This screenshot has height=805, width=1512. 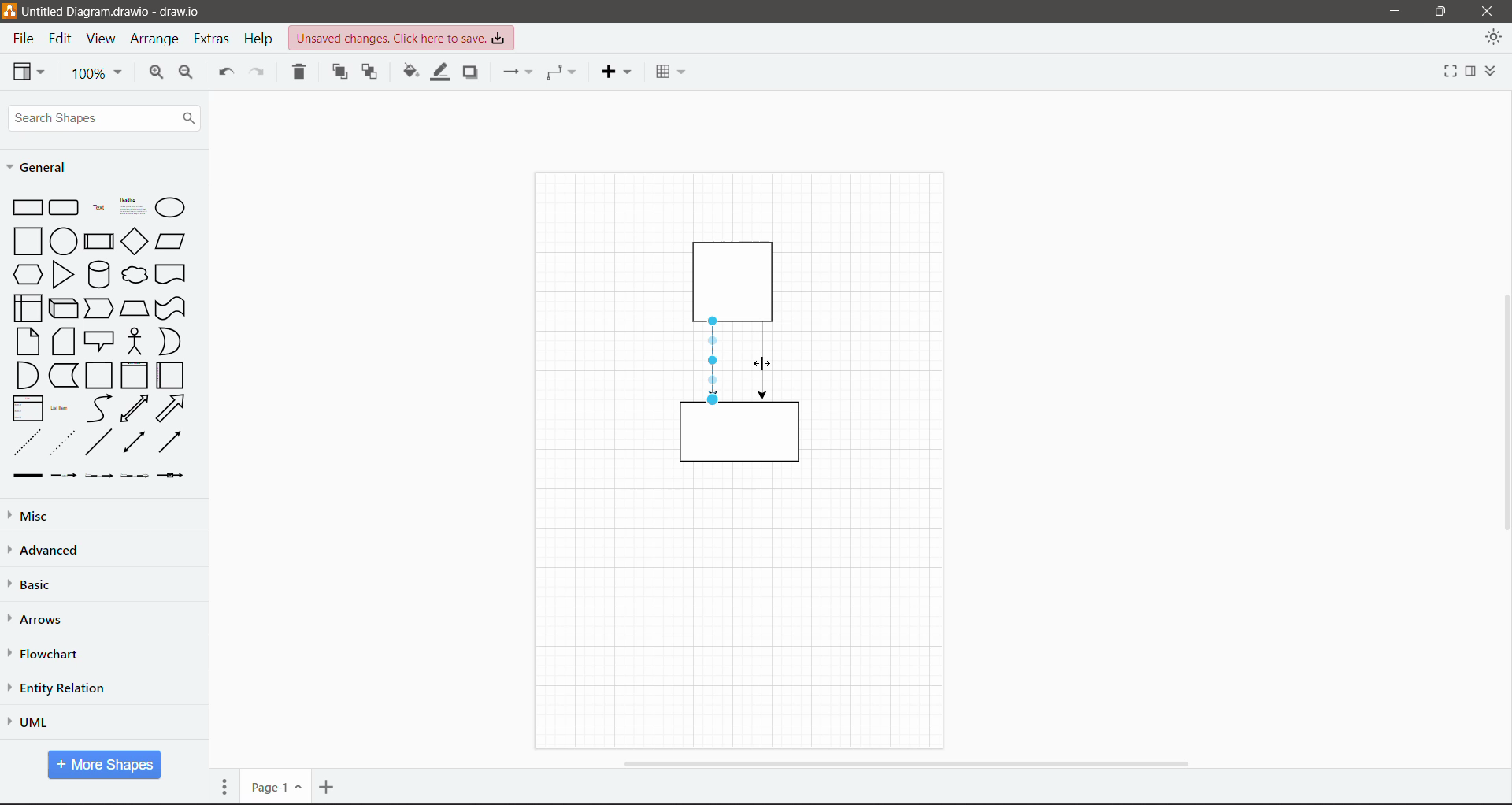 What do you see at coordinates (98, 239) in the screenshot?
I see `Process` at bounding box center [98, 239].